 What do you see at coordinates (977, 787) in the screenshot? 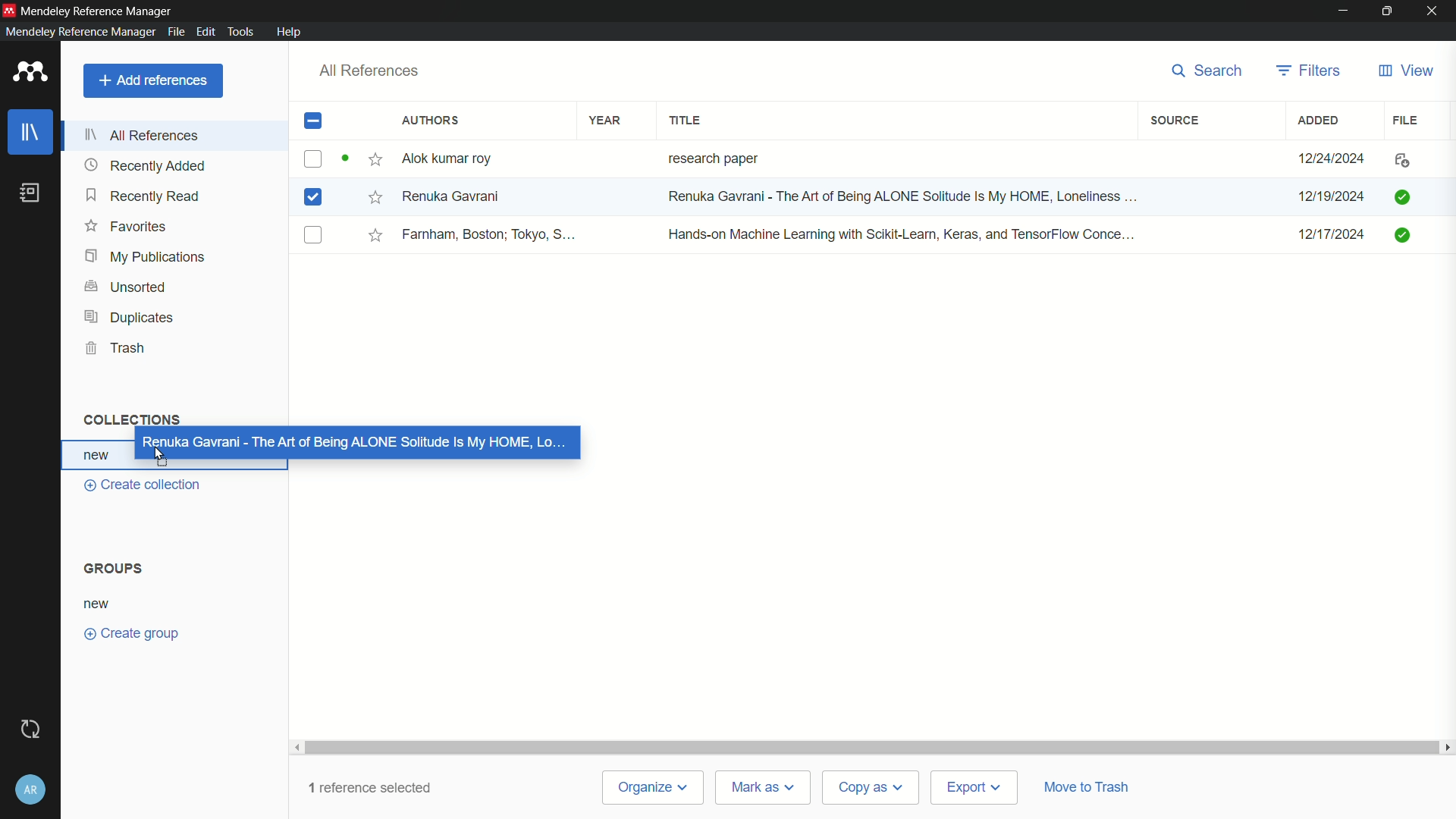
I see `export` at bounding box center [977, 787].